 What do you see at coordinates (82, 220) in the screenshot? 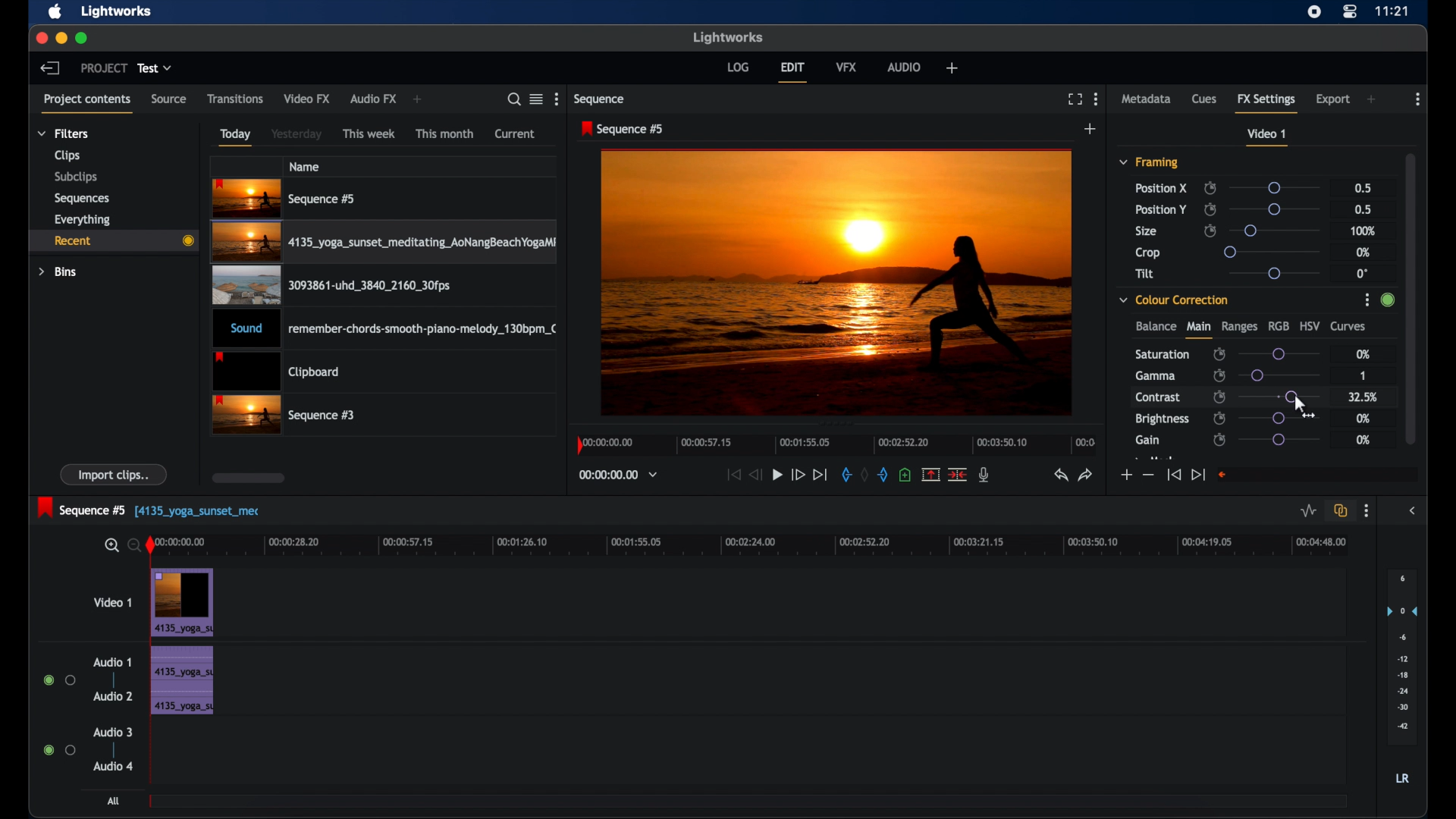
I see `everything` at bounding box center [82, 220].